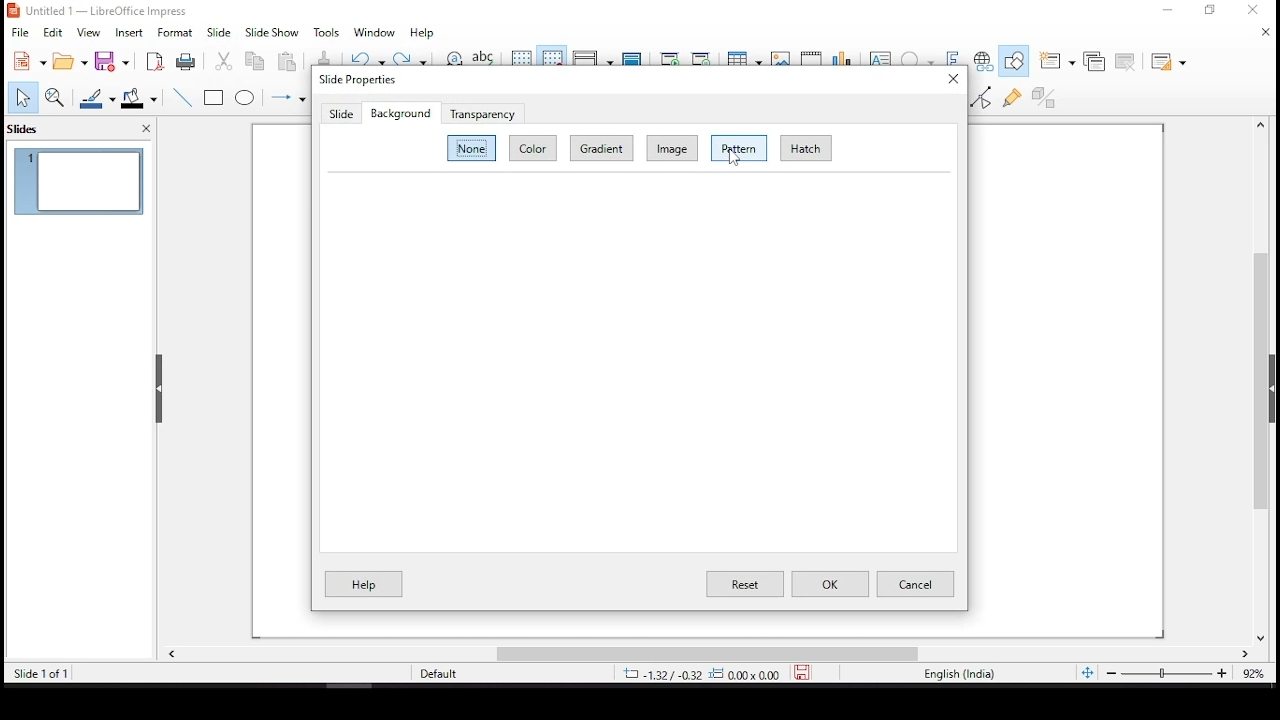 The height and width of the screenshot is (720, 1280). Describe the element at coordinates (342, 114) in the screenshot. I see `slide` at that location.